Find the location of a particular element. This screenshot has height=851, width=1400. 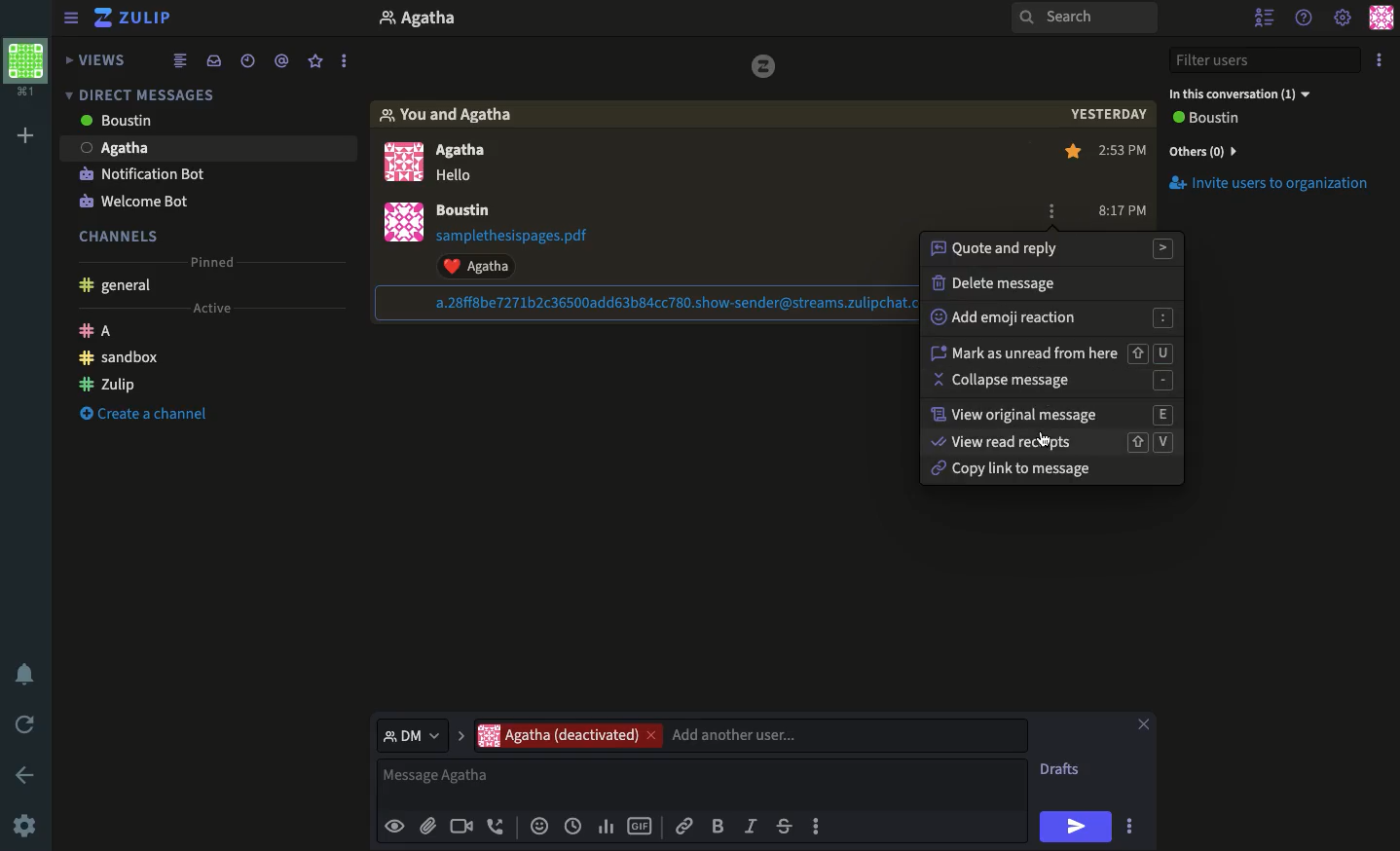

Bold is located at coordinates (718, 825).